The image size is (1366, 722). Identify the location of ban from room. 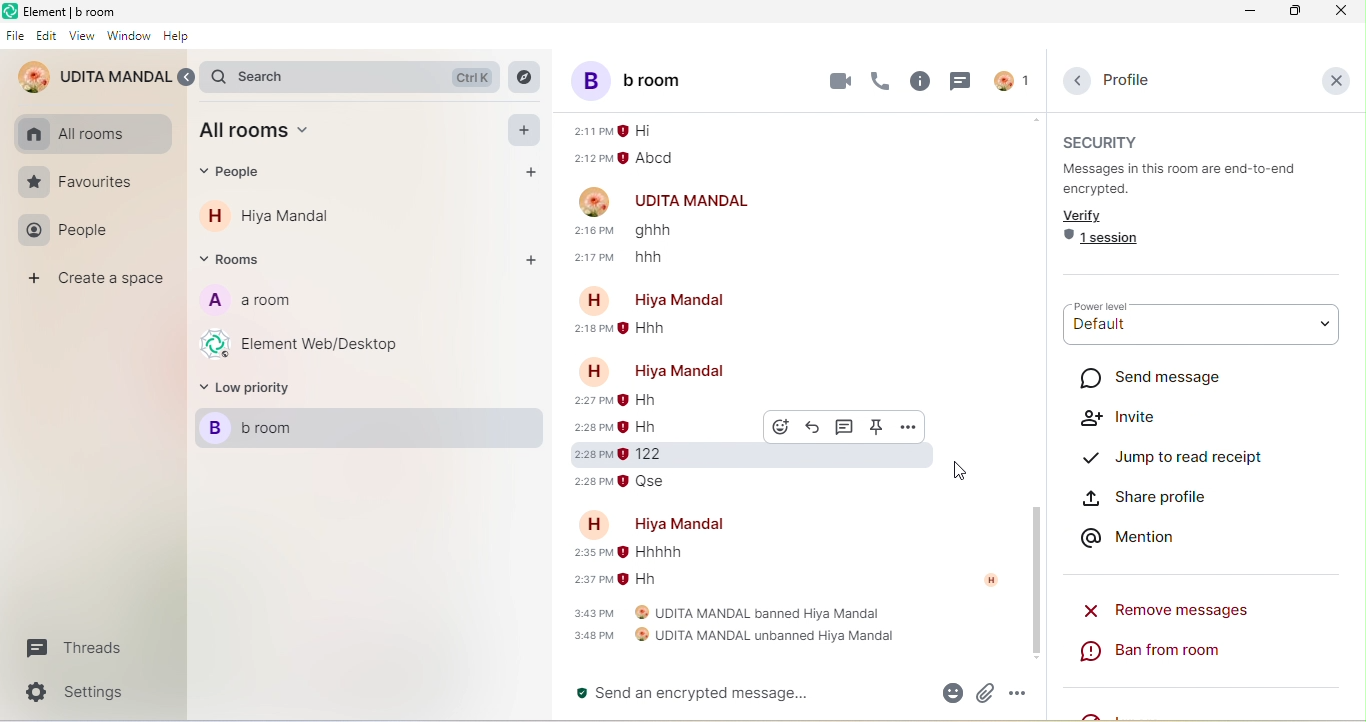
(1156, 650).